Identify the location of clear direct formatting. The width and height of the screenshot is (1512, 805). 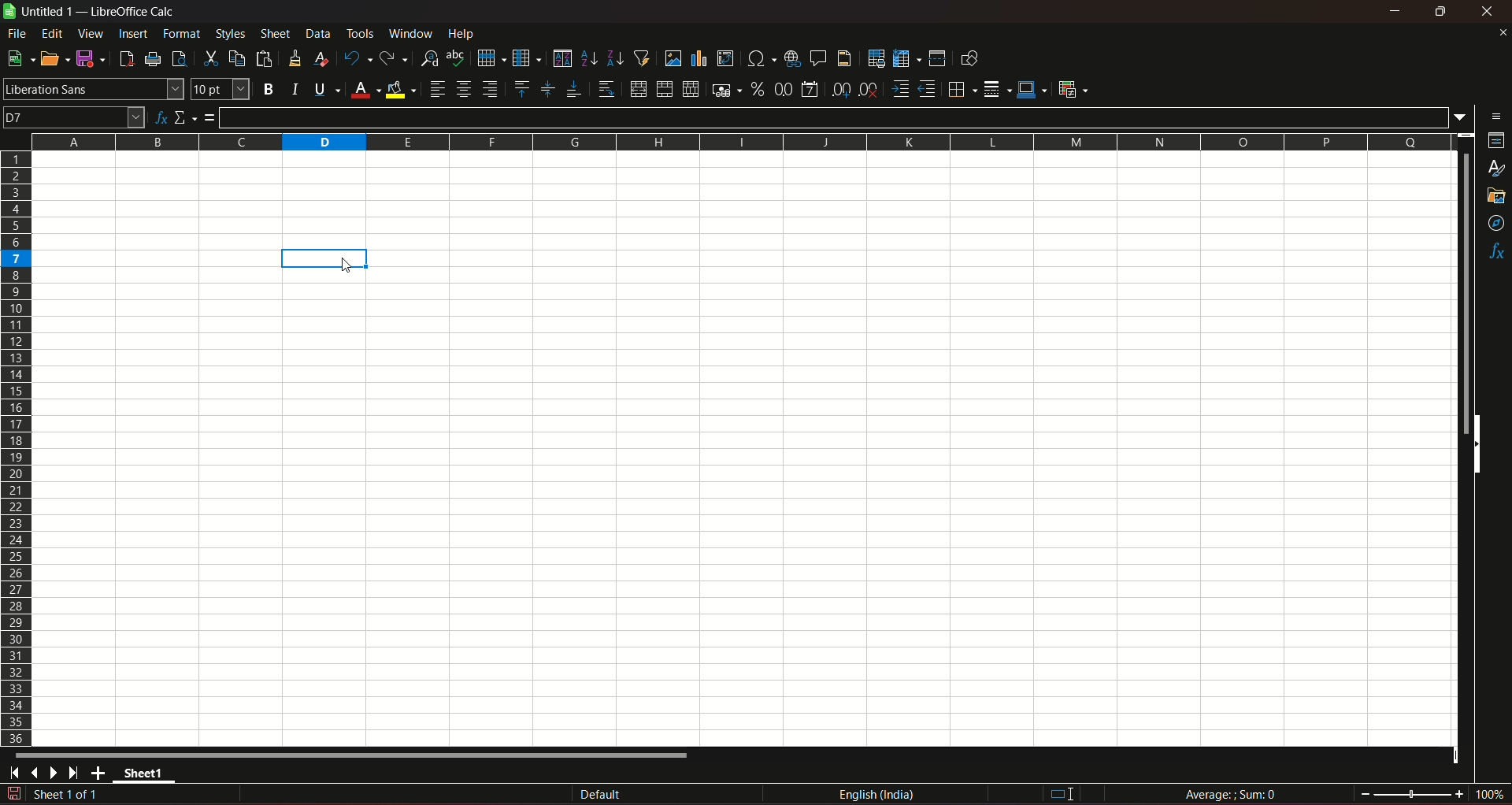
(324, 58).